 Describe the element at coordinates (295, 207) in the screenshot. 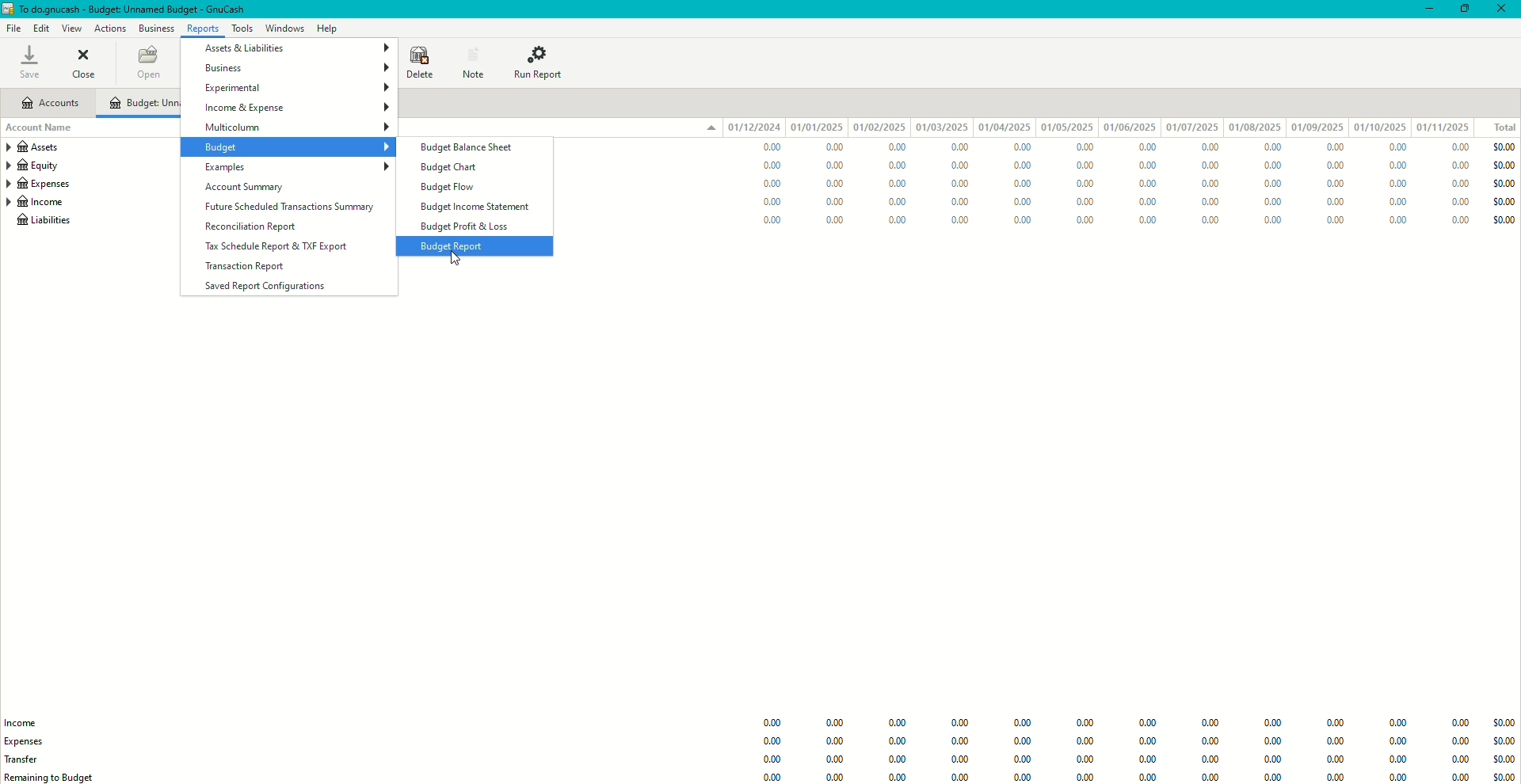

I see `Future Scheduled Transactions Summary` at that location.